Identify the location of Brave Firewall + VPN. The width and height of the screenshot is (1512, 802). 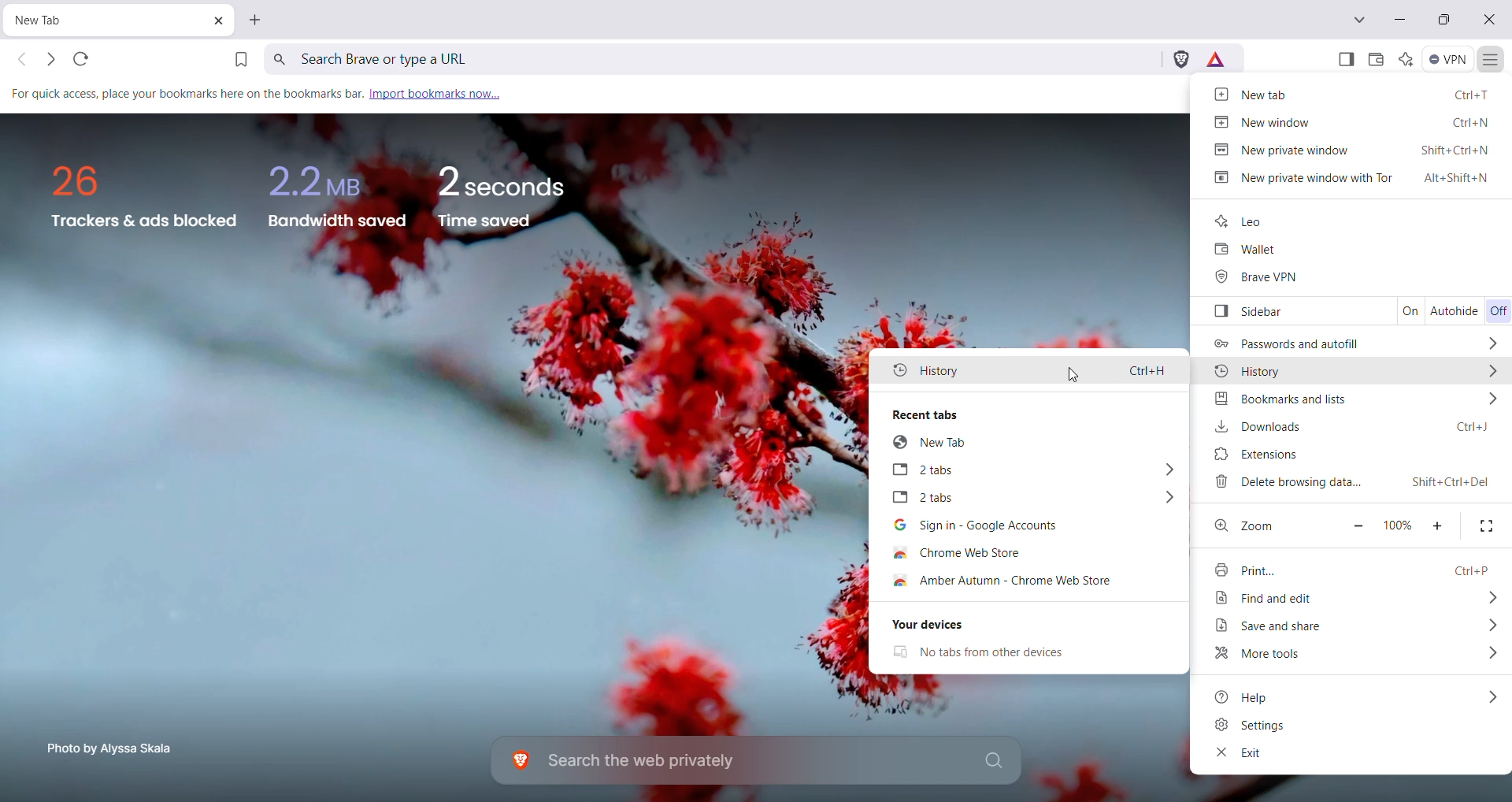
(1449, 59).